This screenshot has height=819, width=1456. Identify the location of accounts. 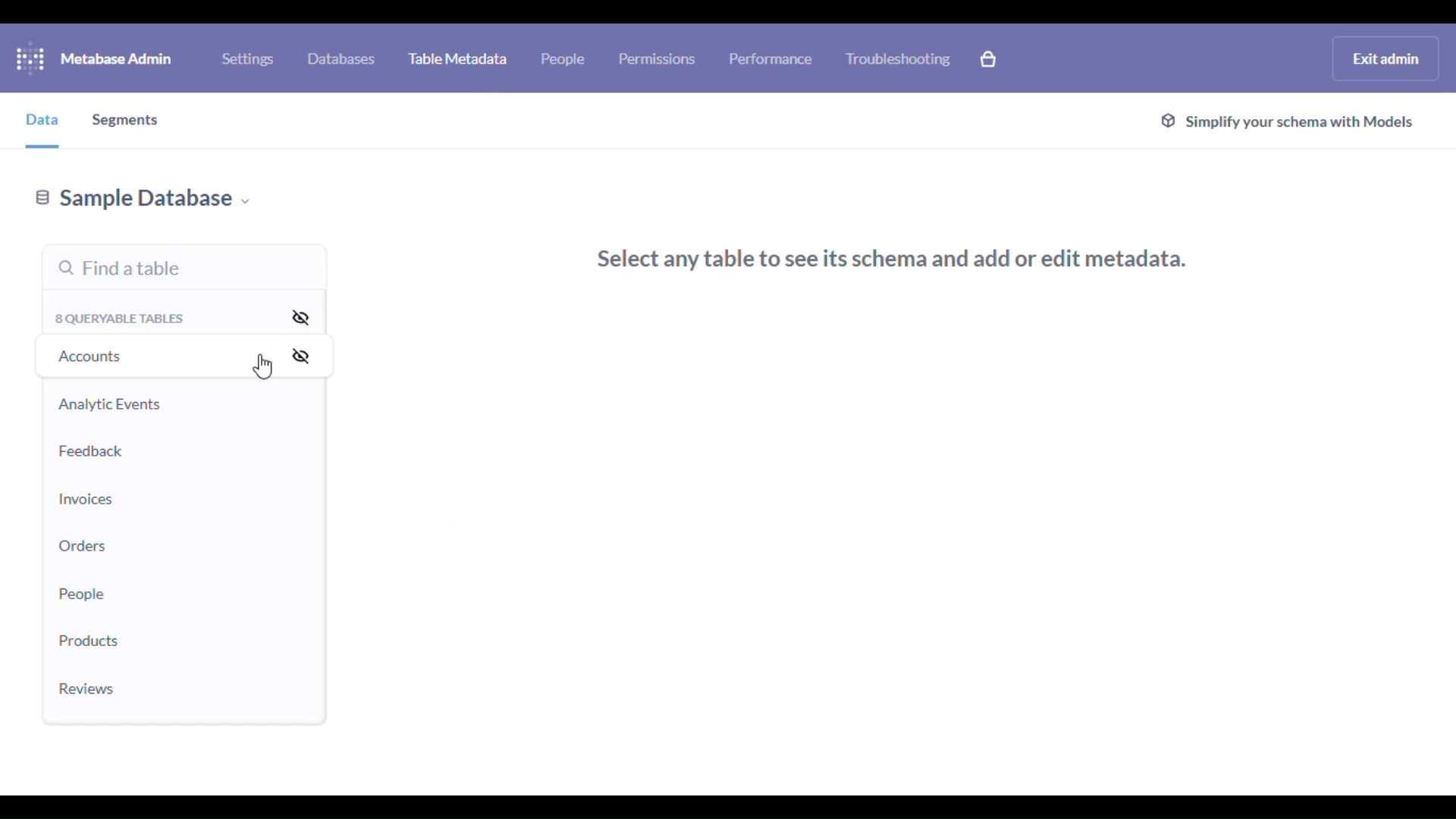
(94, 356).